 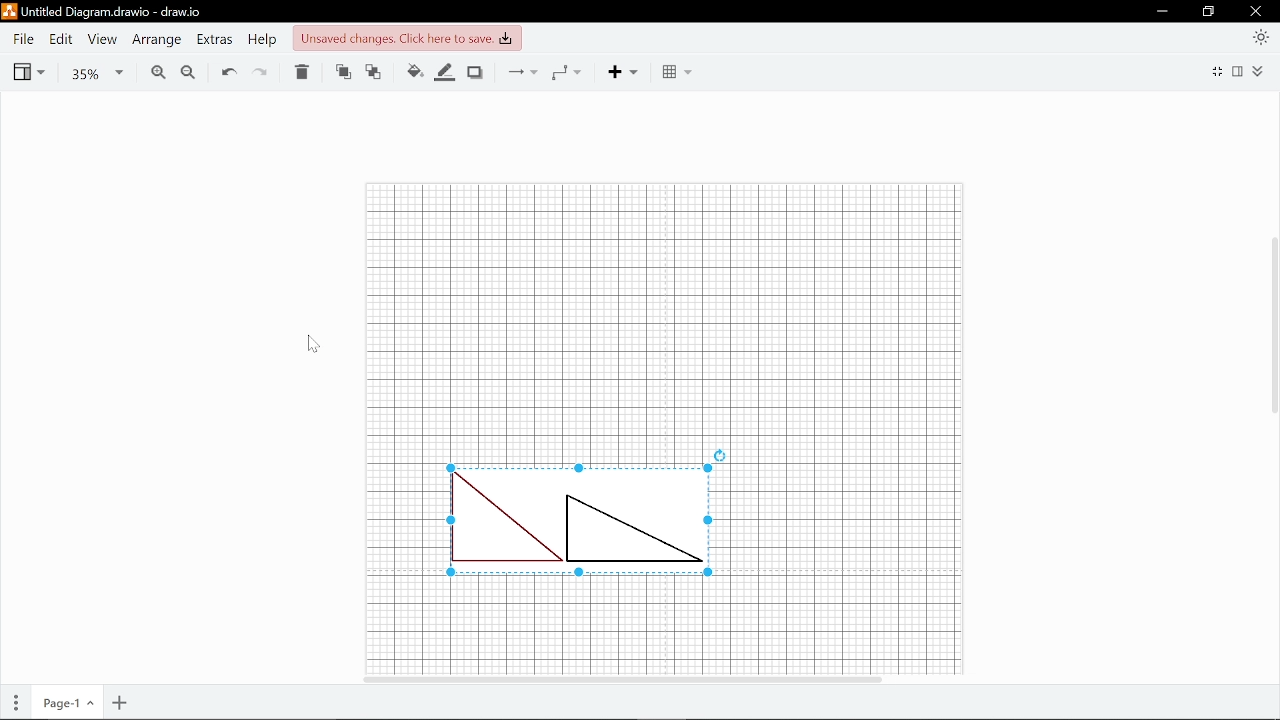 What do you see at coordinates (262, 40) in the screenshot?
I see `Help` at bounding box center [262, 40].